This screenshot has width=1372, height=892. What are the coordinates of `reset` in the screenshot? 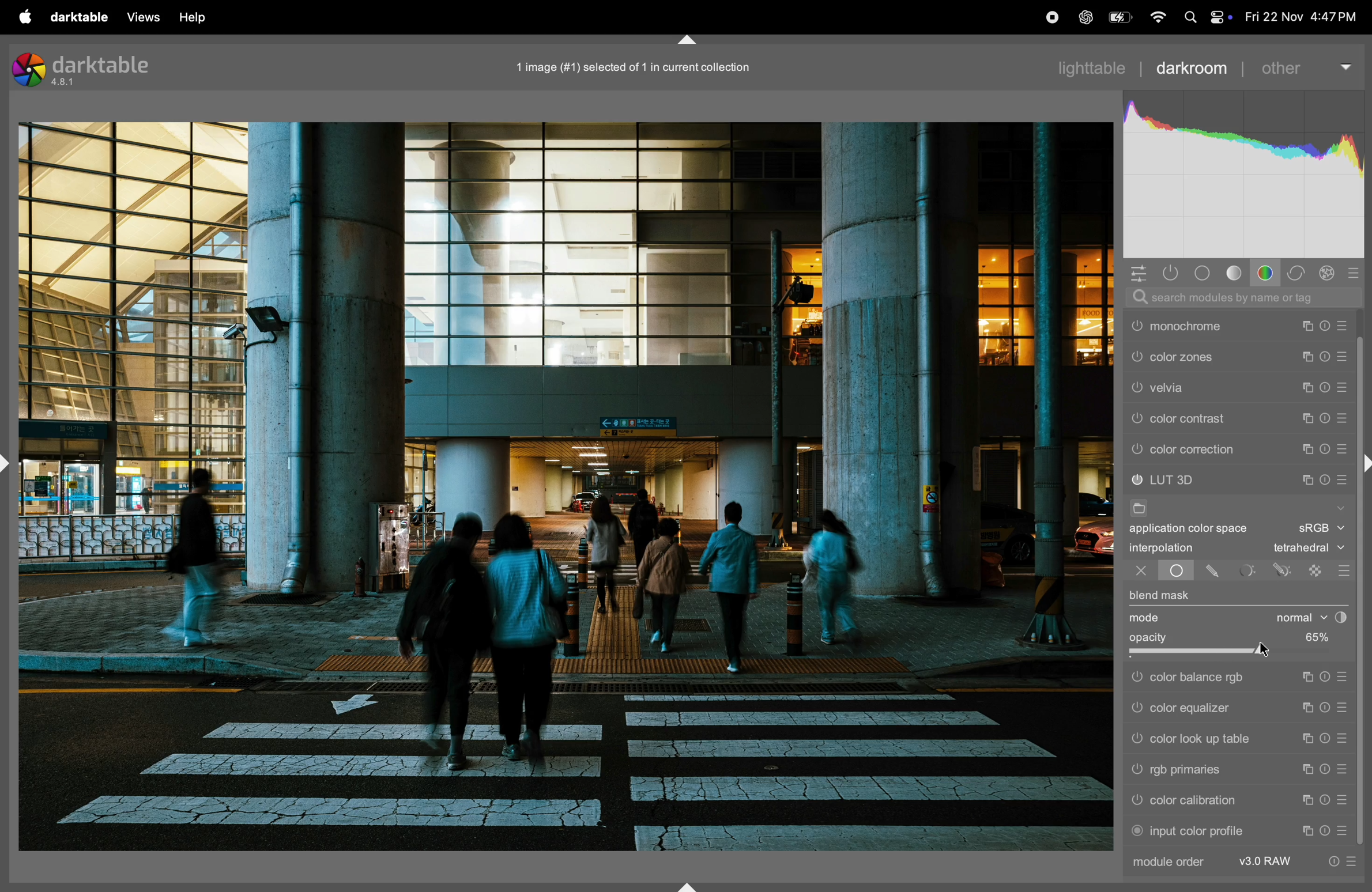 It's located at (1325, 322).